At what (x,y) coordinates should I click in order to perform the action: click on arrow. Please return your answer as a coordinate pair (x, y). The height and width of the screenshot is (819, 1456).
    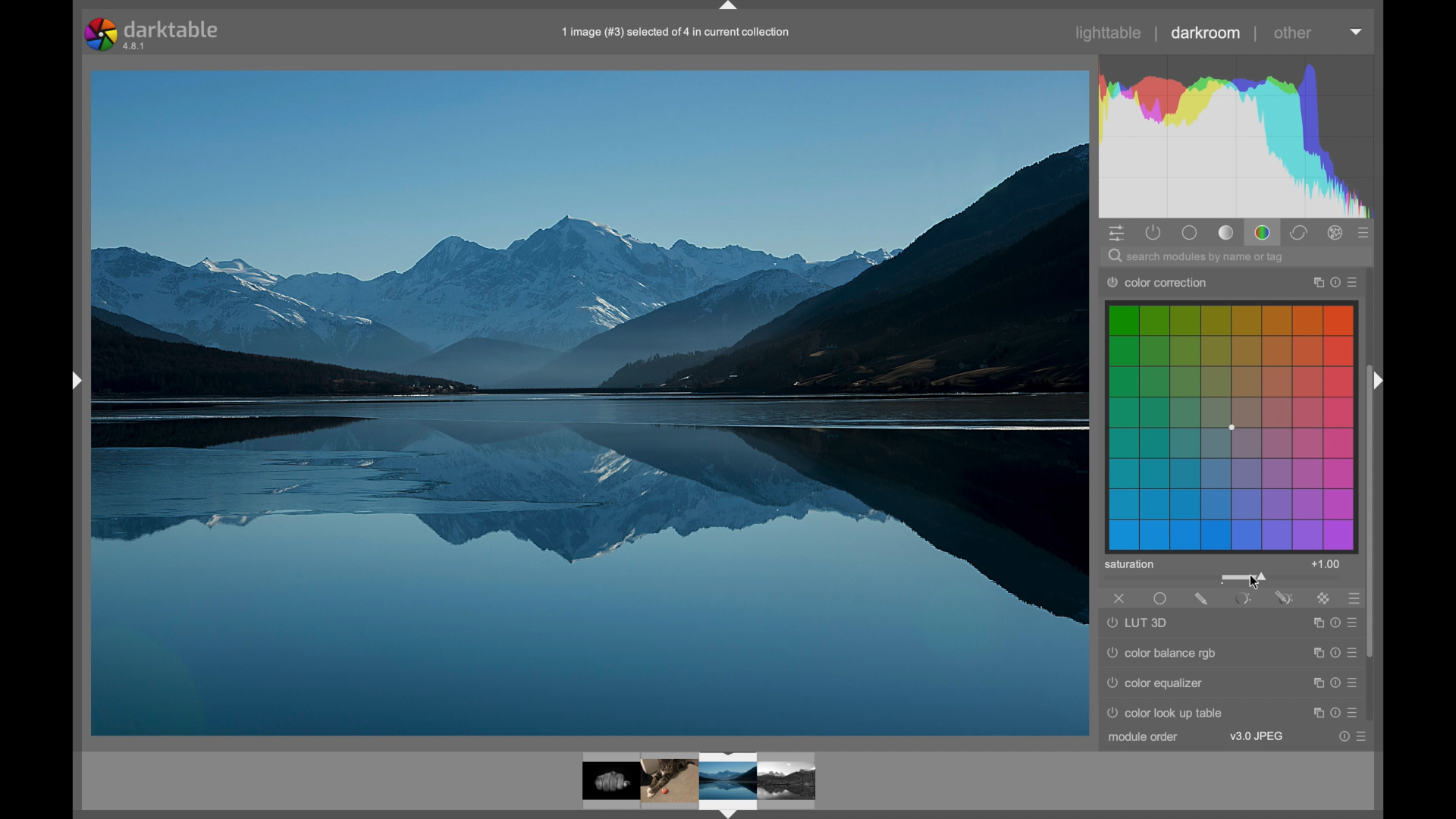
    Looking at the image, I should click on (1378, 380).